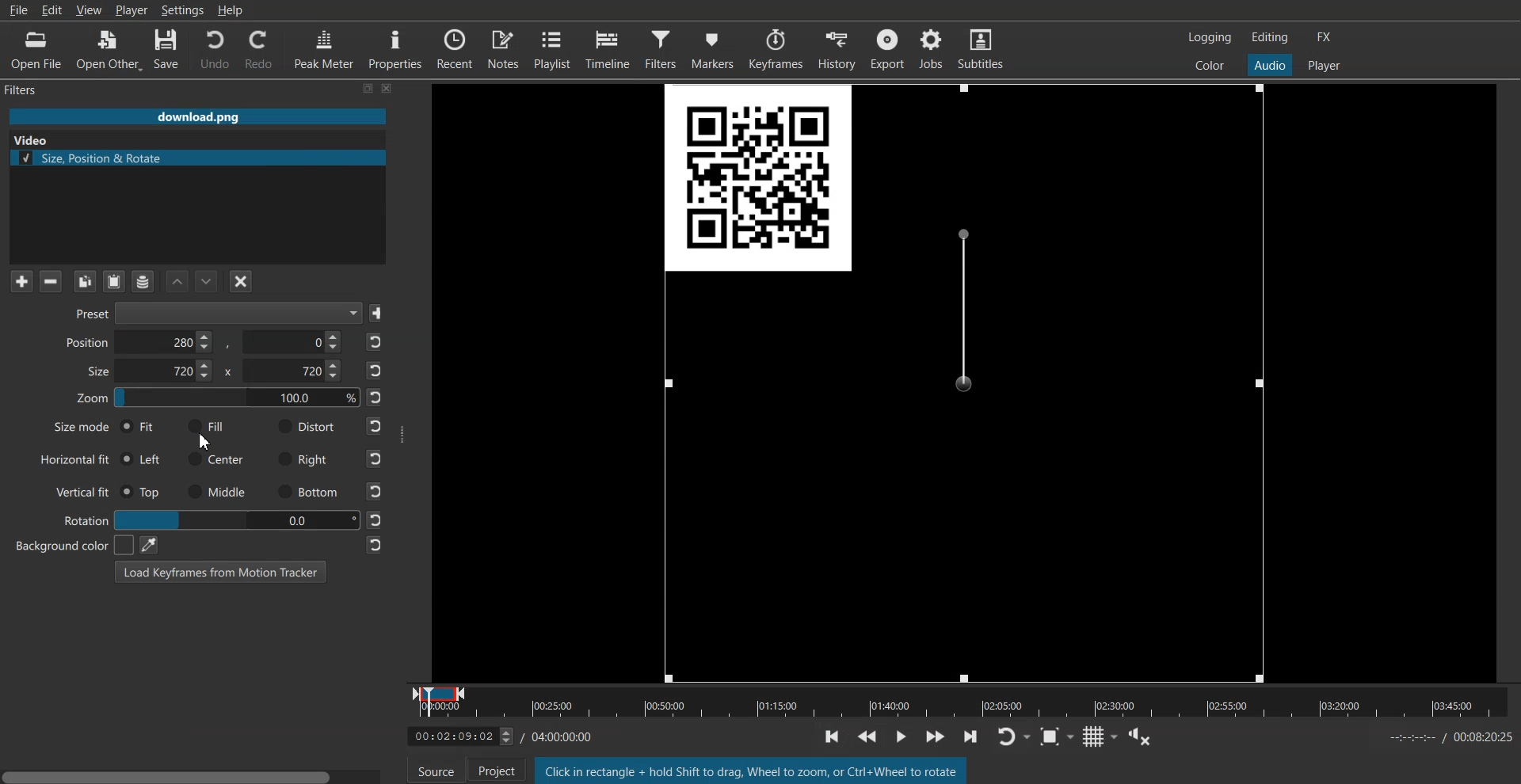  I want to click on Open Other, so click(108, 49).